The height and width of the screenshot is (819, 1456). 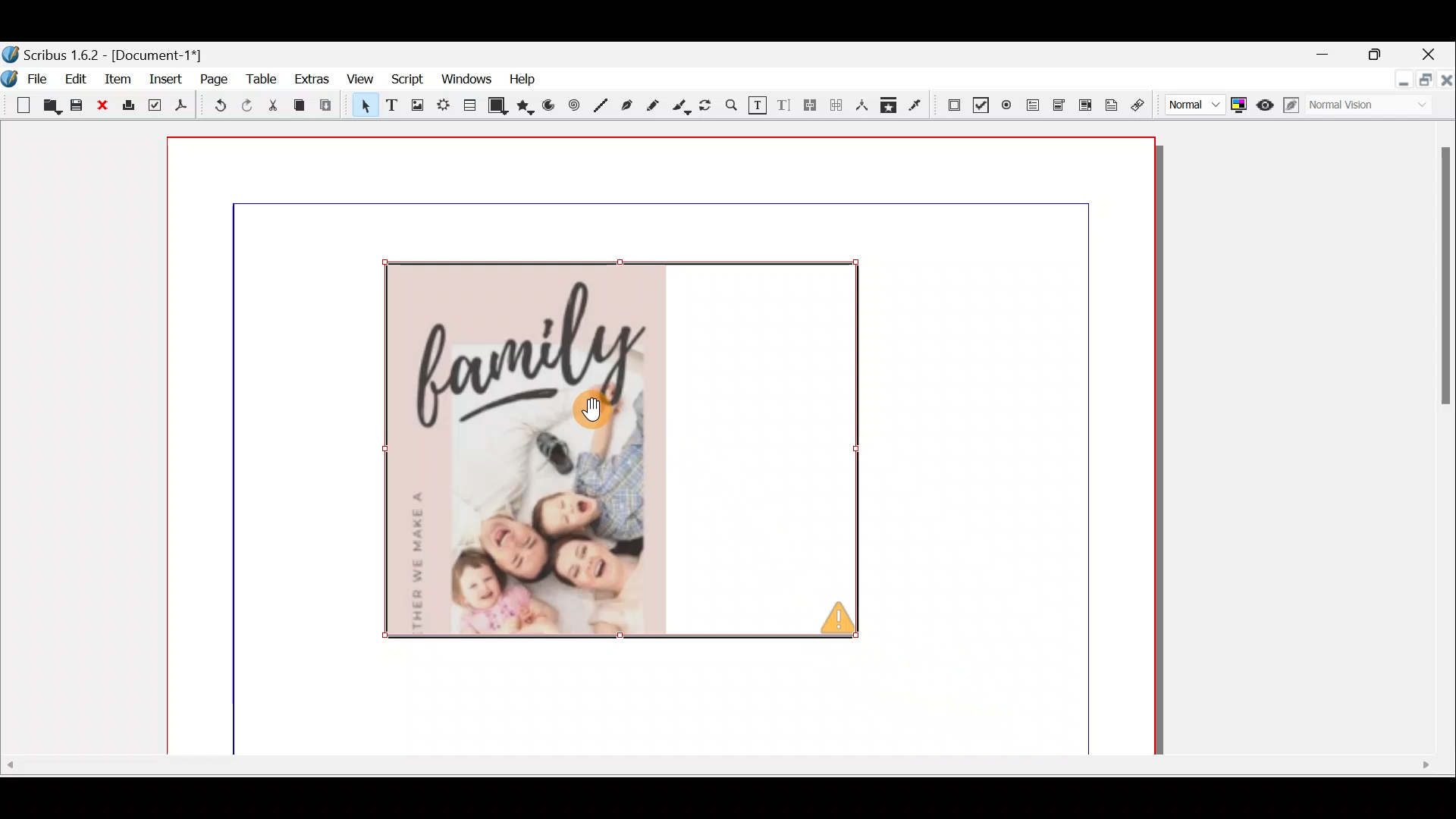 What do you see at coordinates (726, 777) in the screenshot?
I see `Scroll  bar` at bounding box center [726, 777].